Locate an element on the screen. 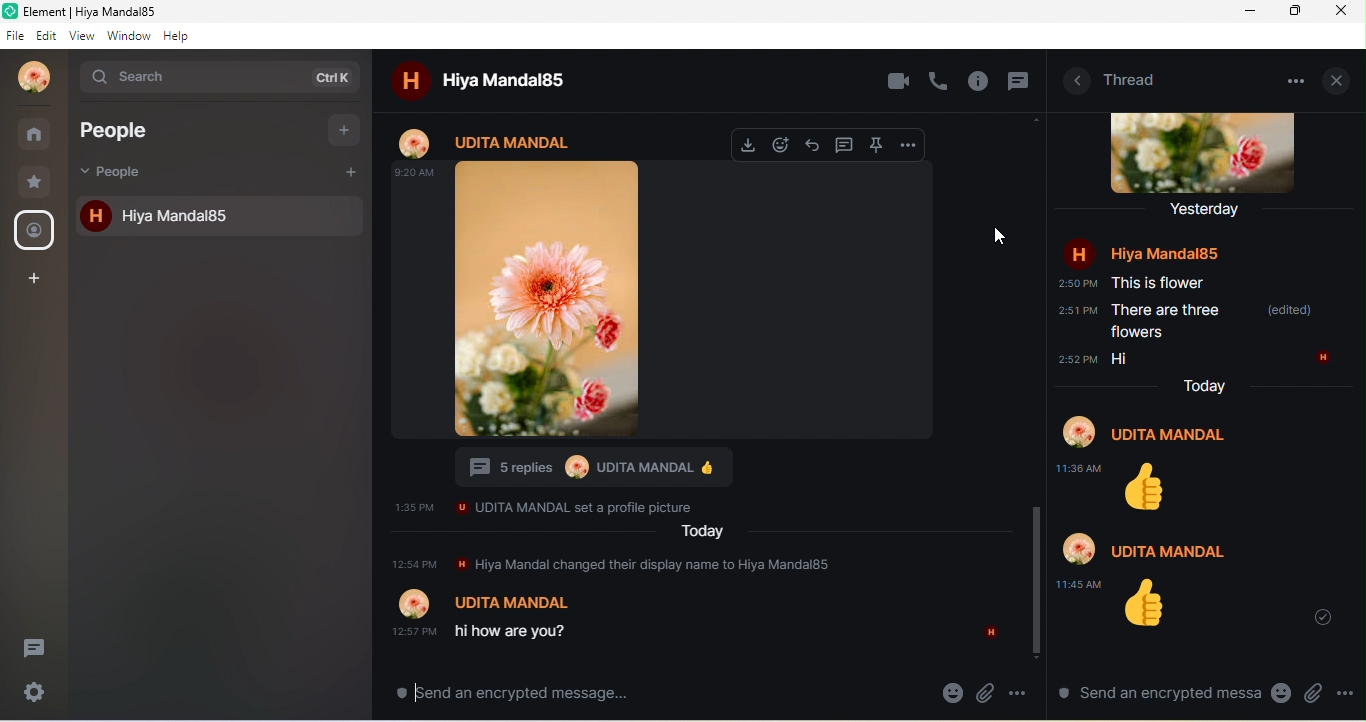 The image size is (1366, 722). option is located at coordinates (1026, 691).